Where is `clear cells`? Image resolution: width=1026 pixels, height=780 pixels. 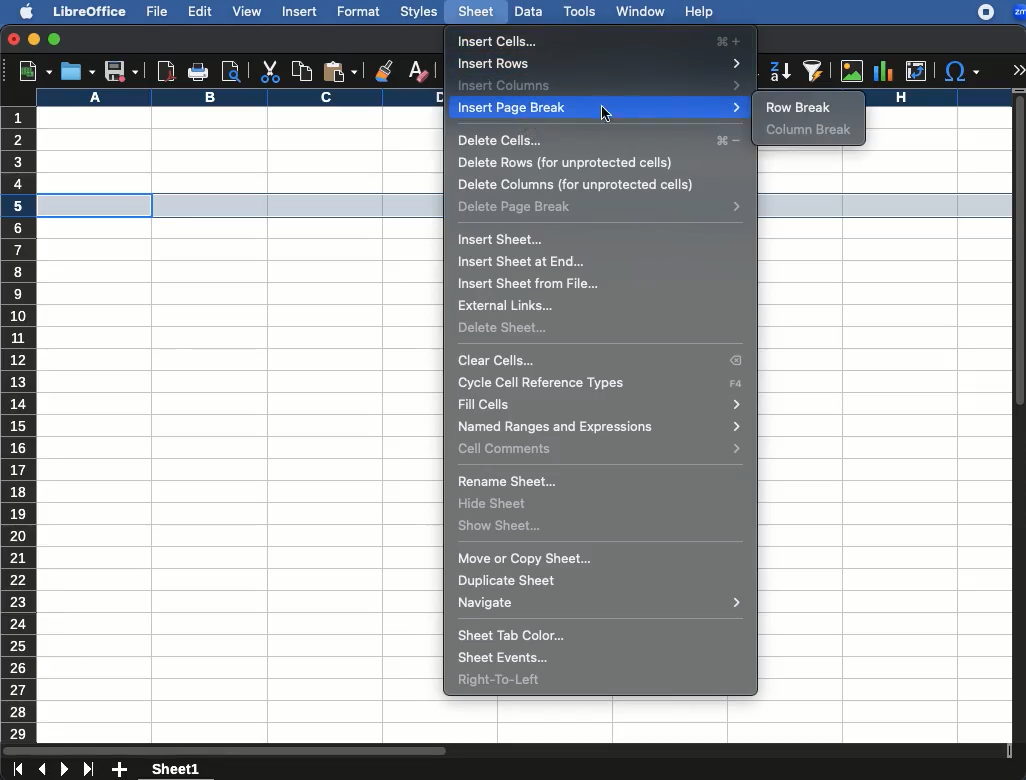
clear cells is located at coordinates (601, 360).